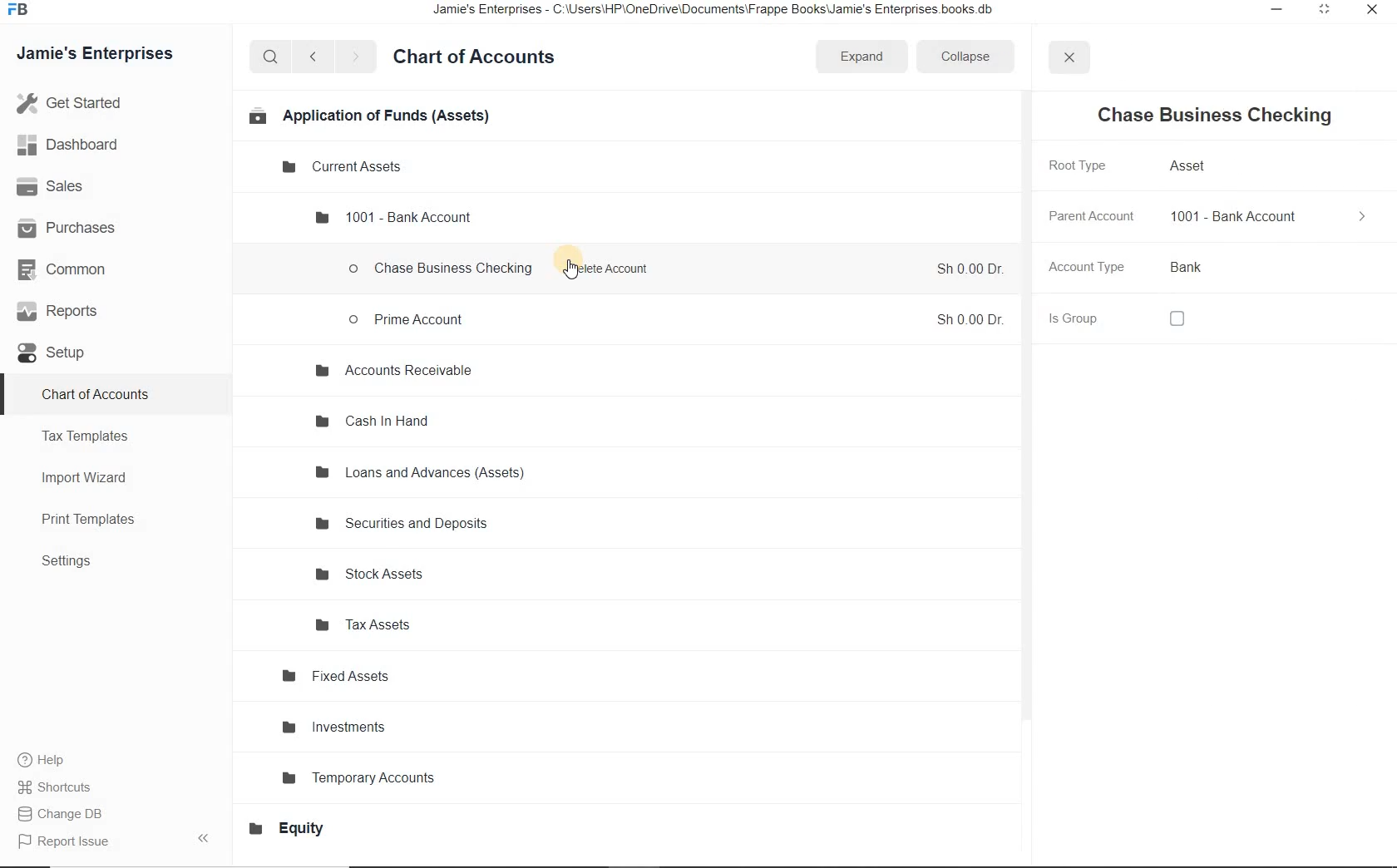  Describe the element at coordinates (50, 762) in the screenshot. I see `Help` at that location.